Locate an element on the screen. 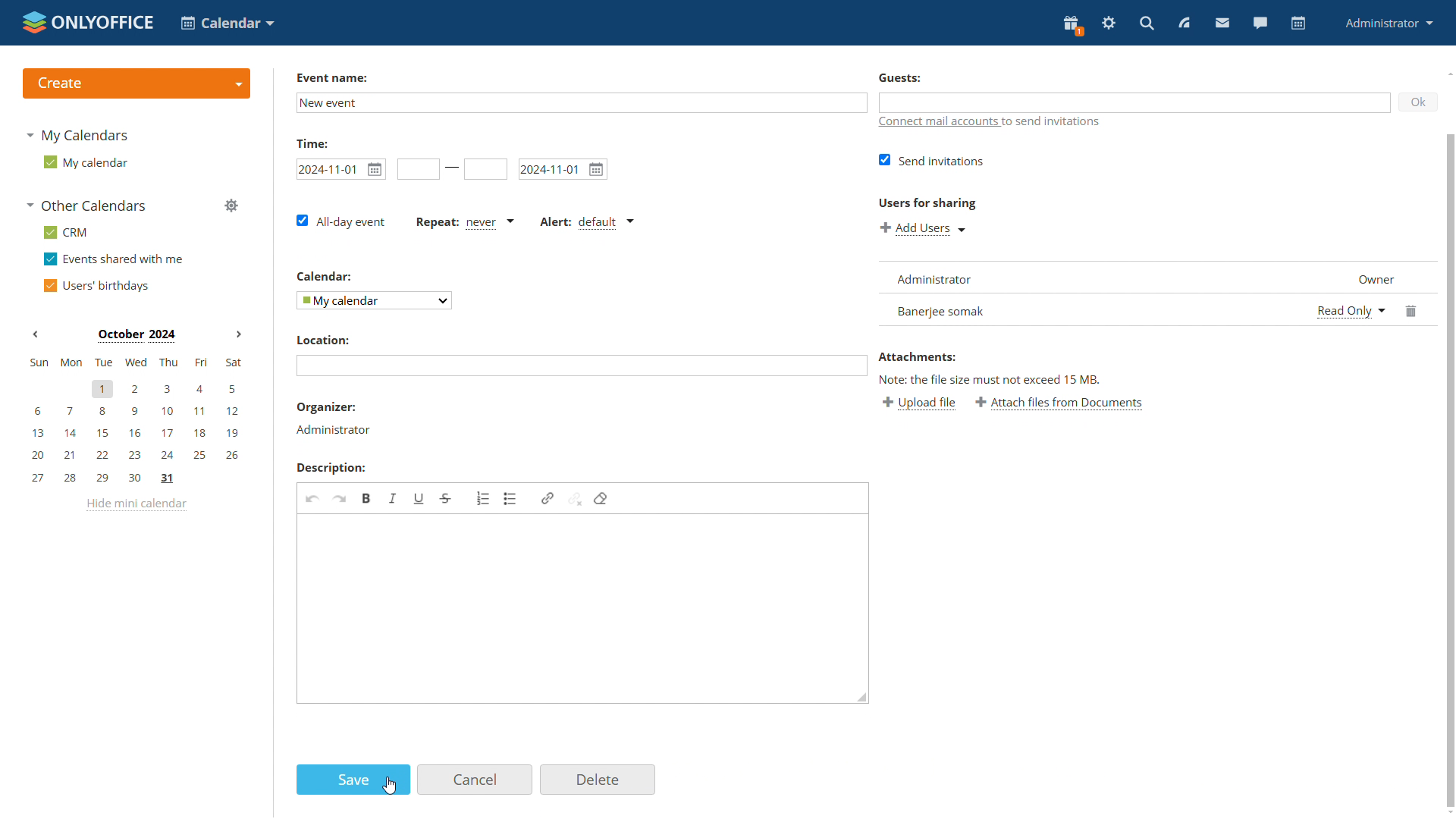  end date is located at coordinates (486, 168).